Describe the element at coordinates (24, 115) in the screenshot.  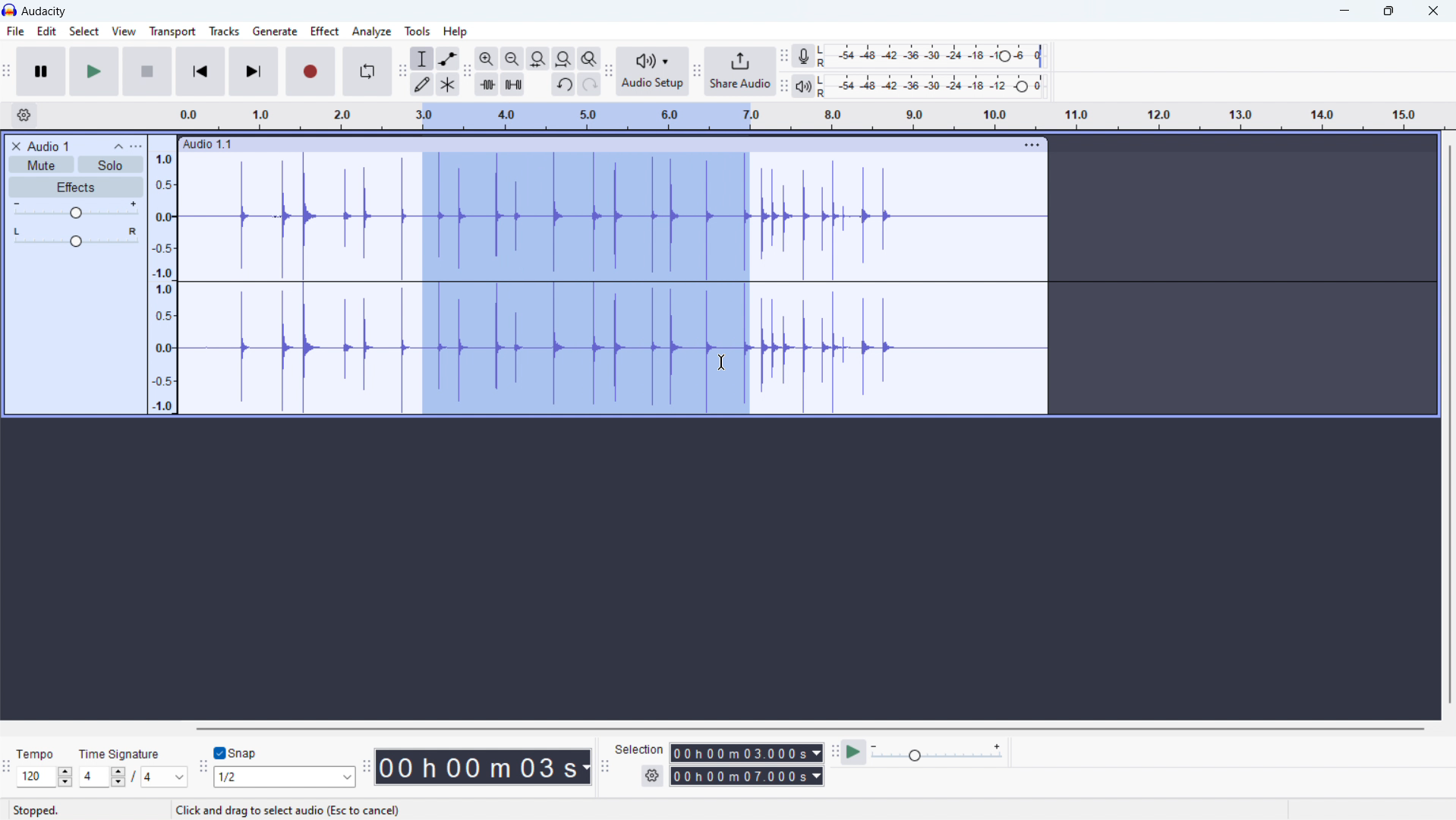
I see `timeline settings` at that location.